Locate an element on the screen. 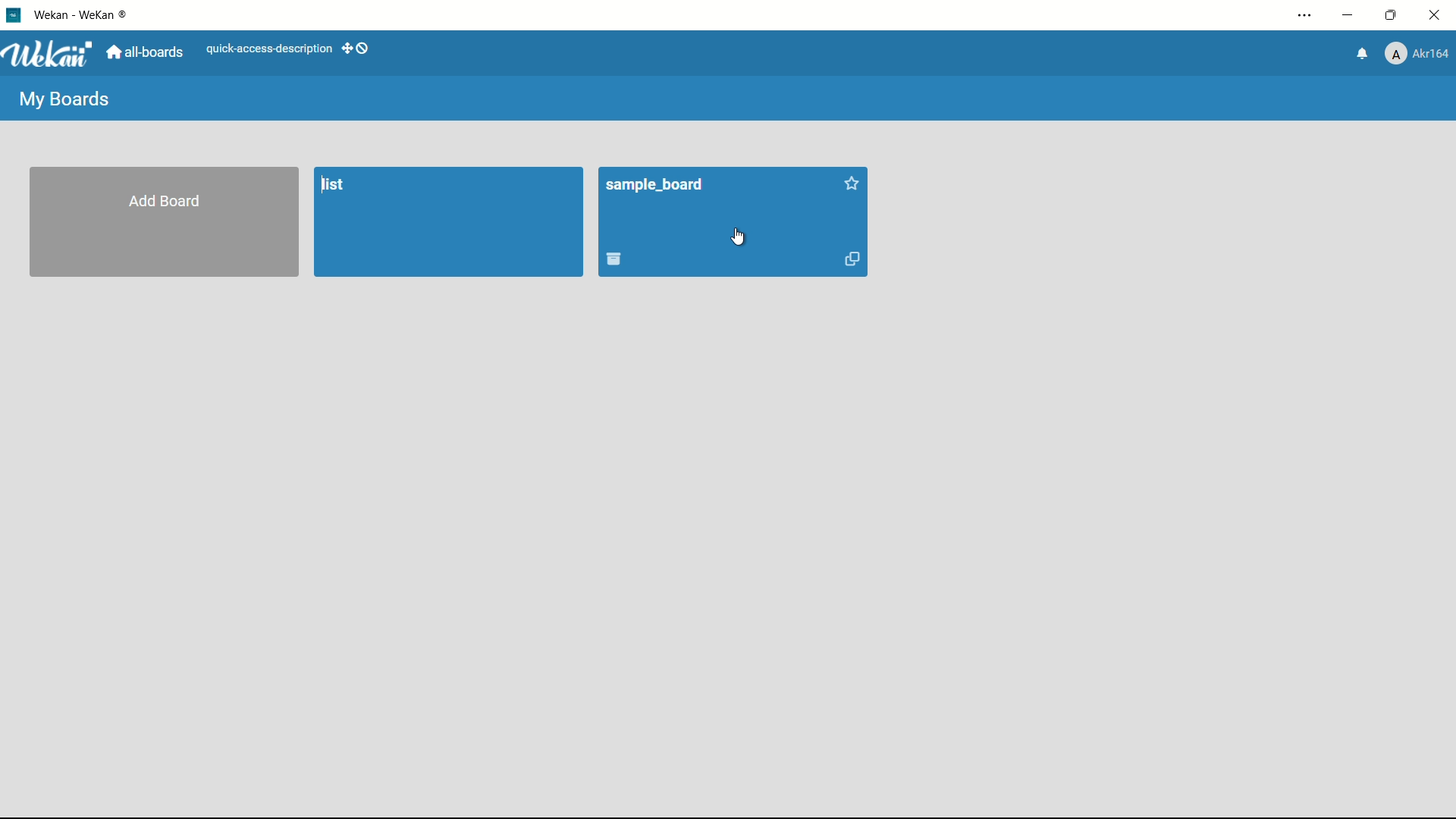 The height and width of the screenshot is (819, 1456). all boards is located at coordinates (149, 52).